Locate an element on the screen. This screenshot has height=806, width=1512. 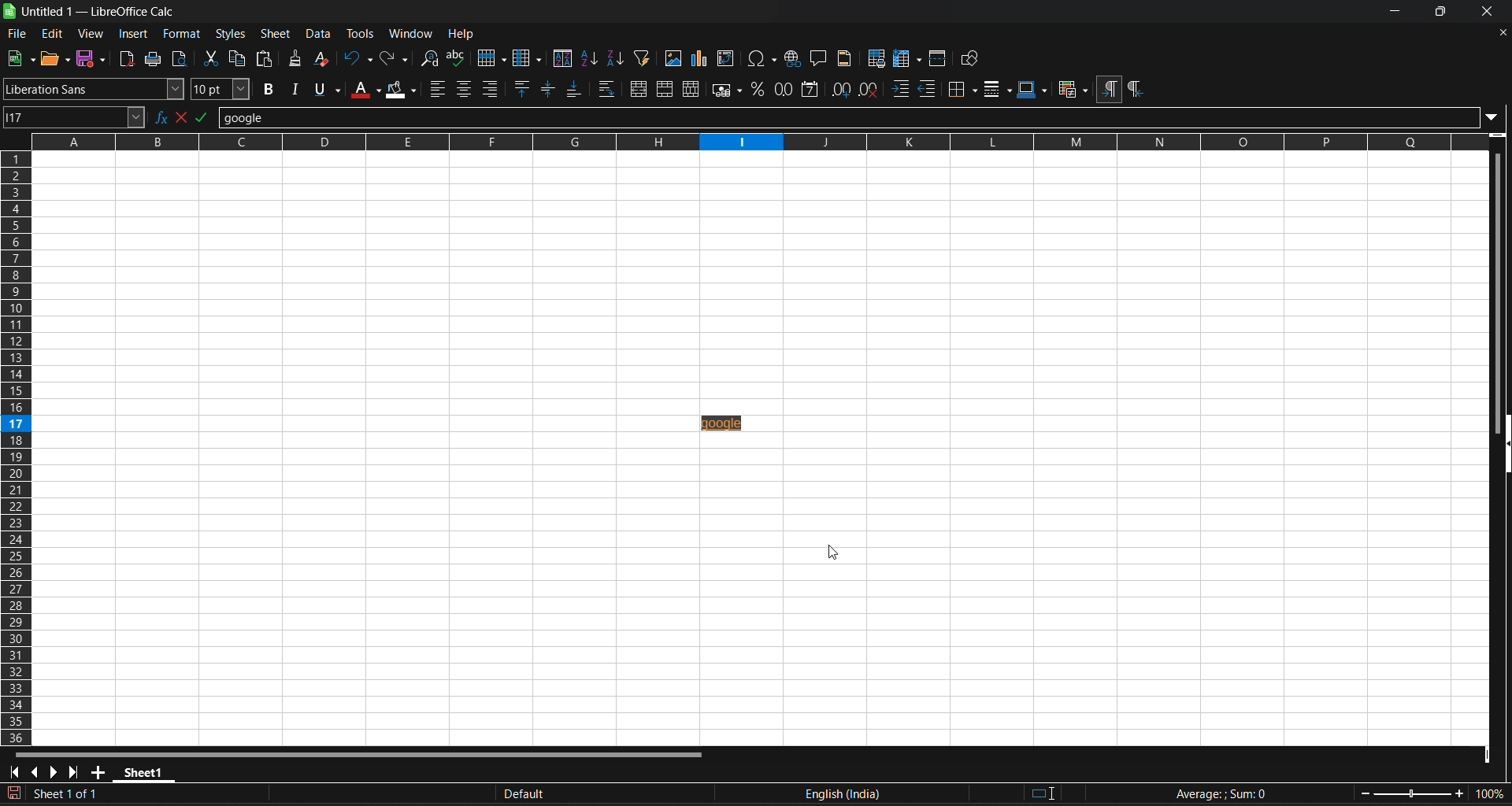
bold is located at coordinates (269, 89).